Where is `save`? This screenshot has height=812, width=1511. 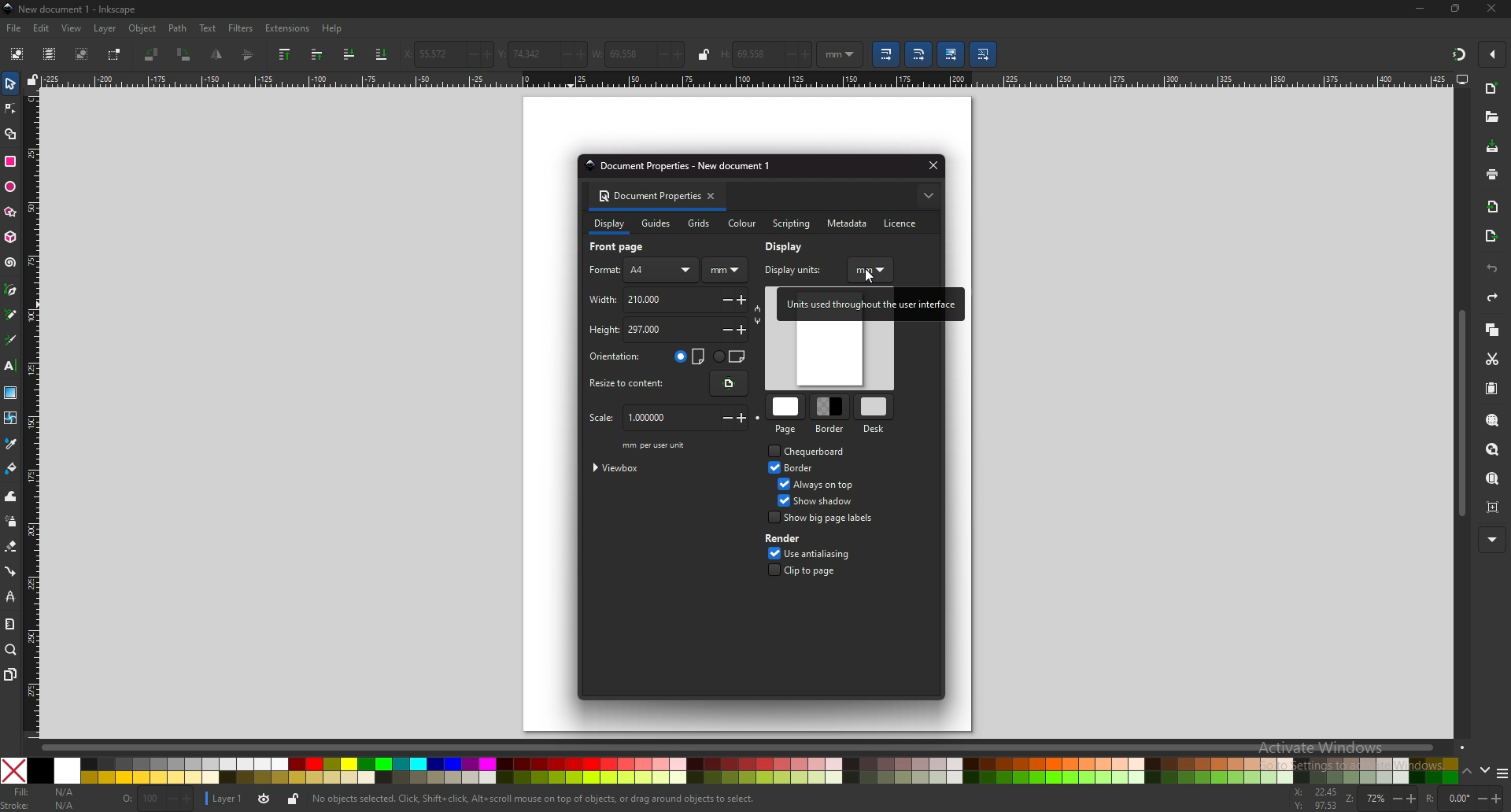
save is located at coordinates (1492, 146).